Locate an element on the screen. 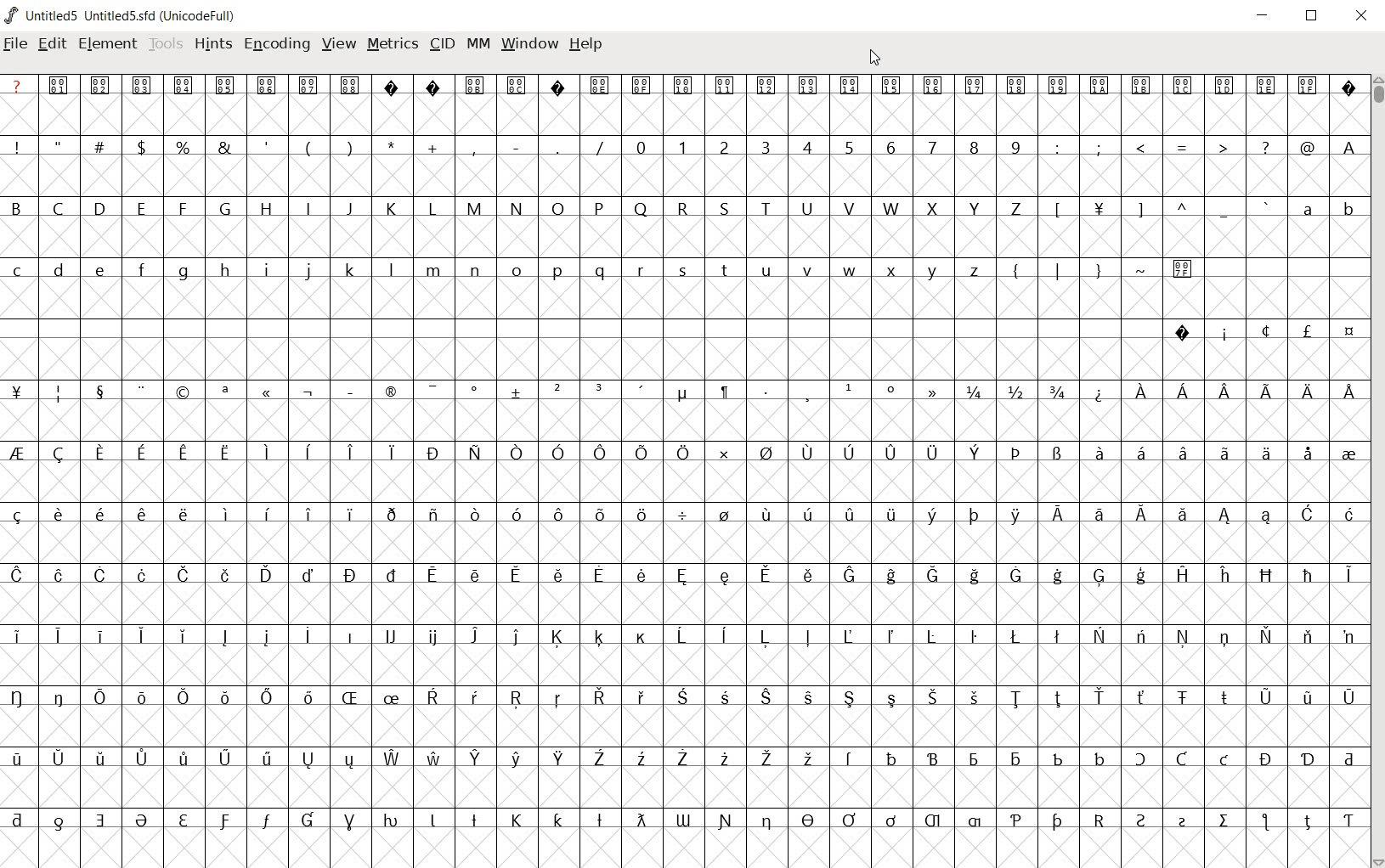 The width and height of the screenshot is (1385, 868). Symbol is located at coordinates (184, 821).